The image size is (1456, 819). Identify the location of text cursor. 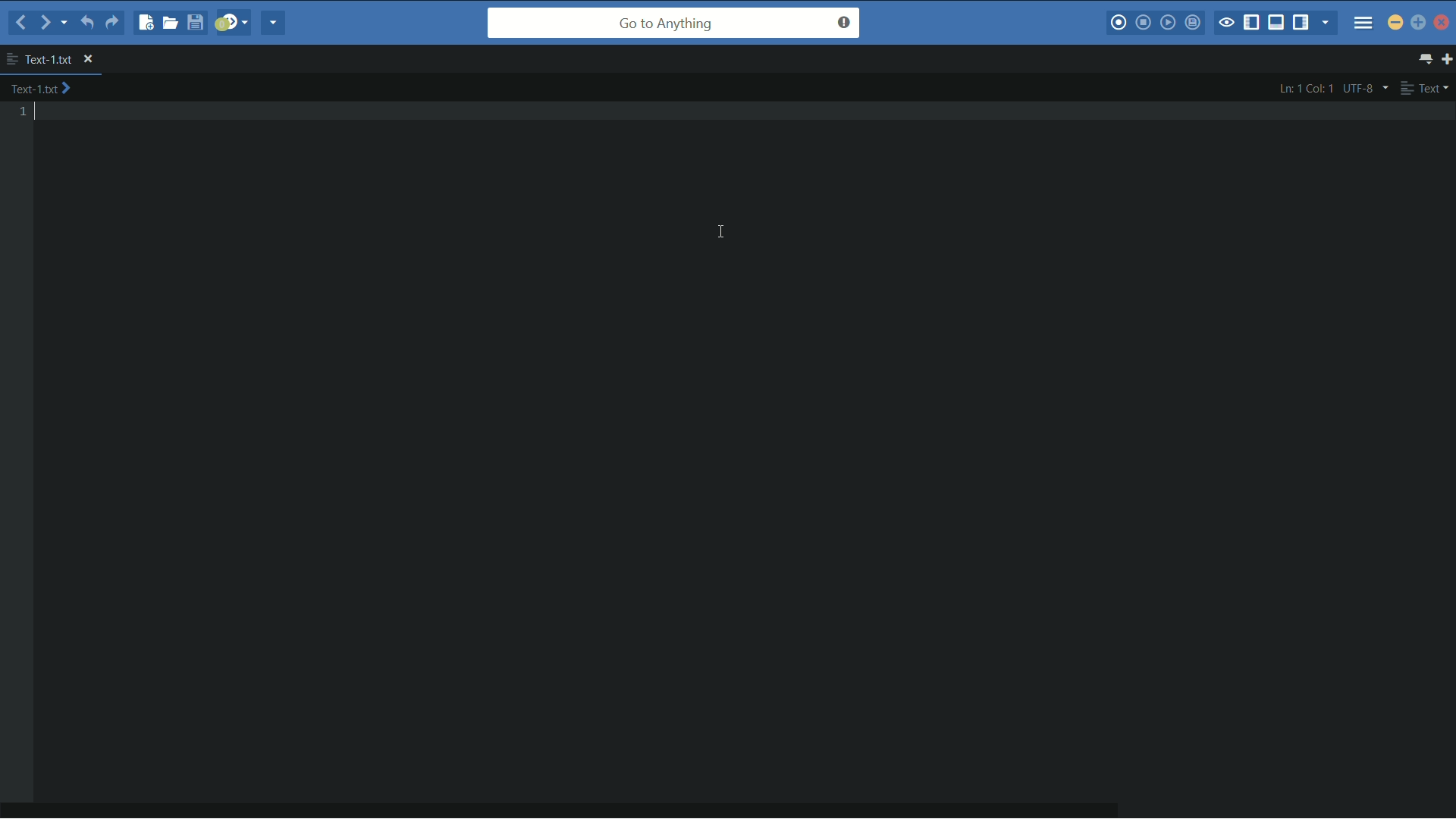
(724, 234).